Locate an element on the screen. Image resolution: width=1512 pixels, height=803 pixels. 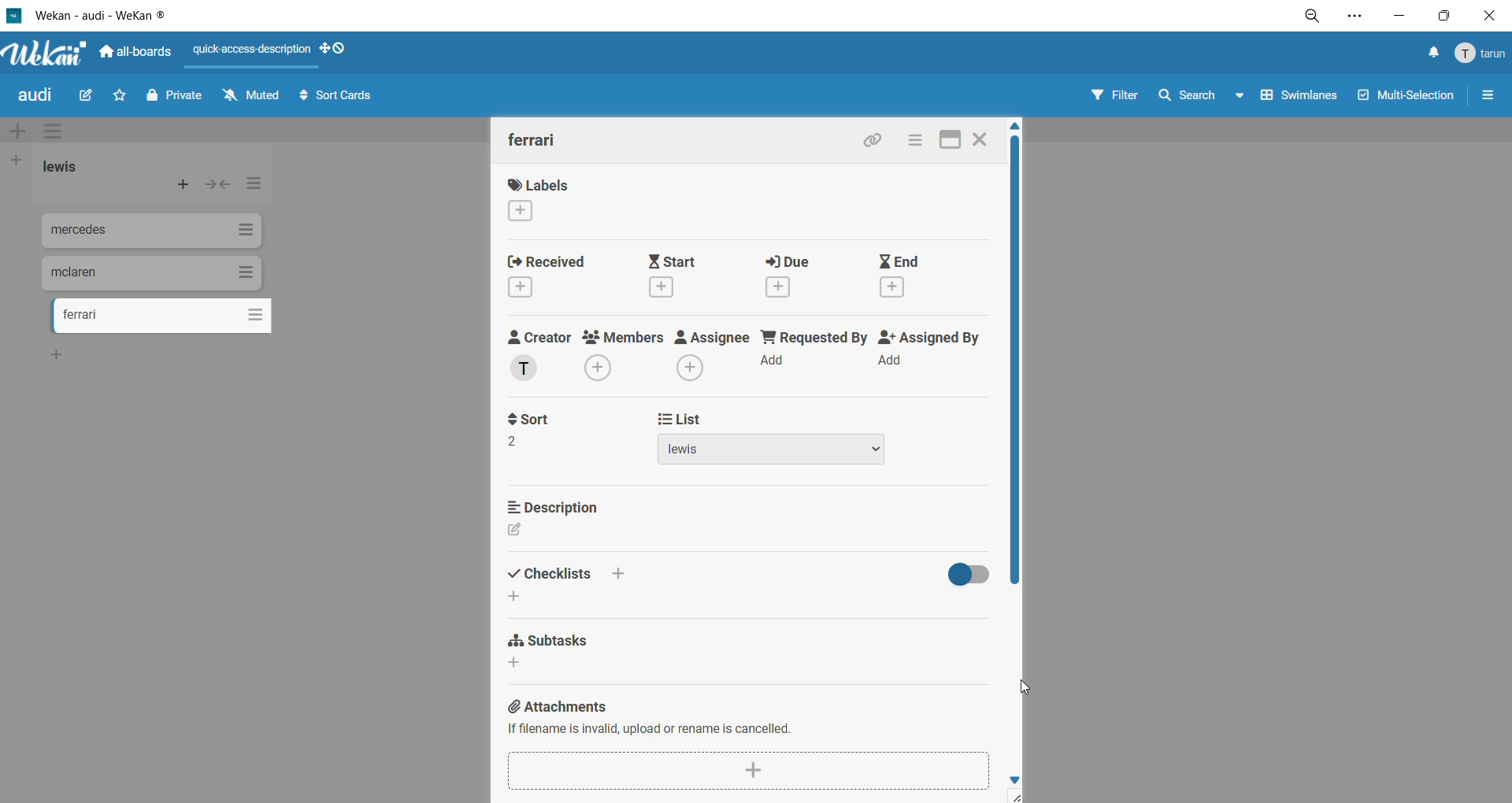
swimlanes is located at coordinates (1295, 101).